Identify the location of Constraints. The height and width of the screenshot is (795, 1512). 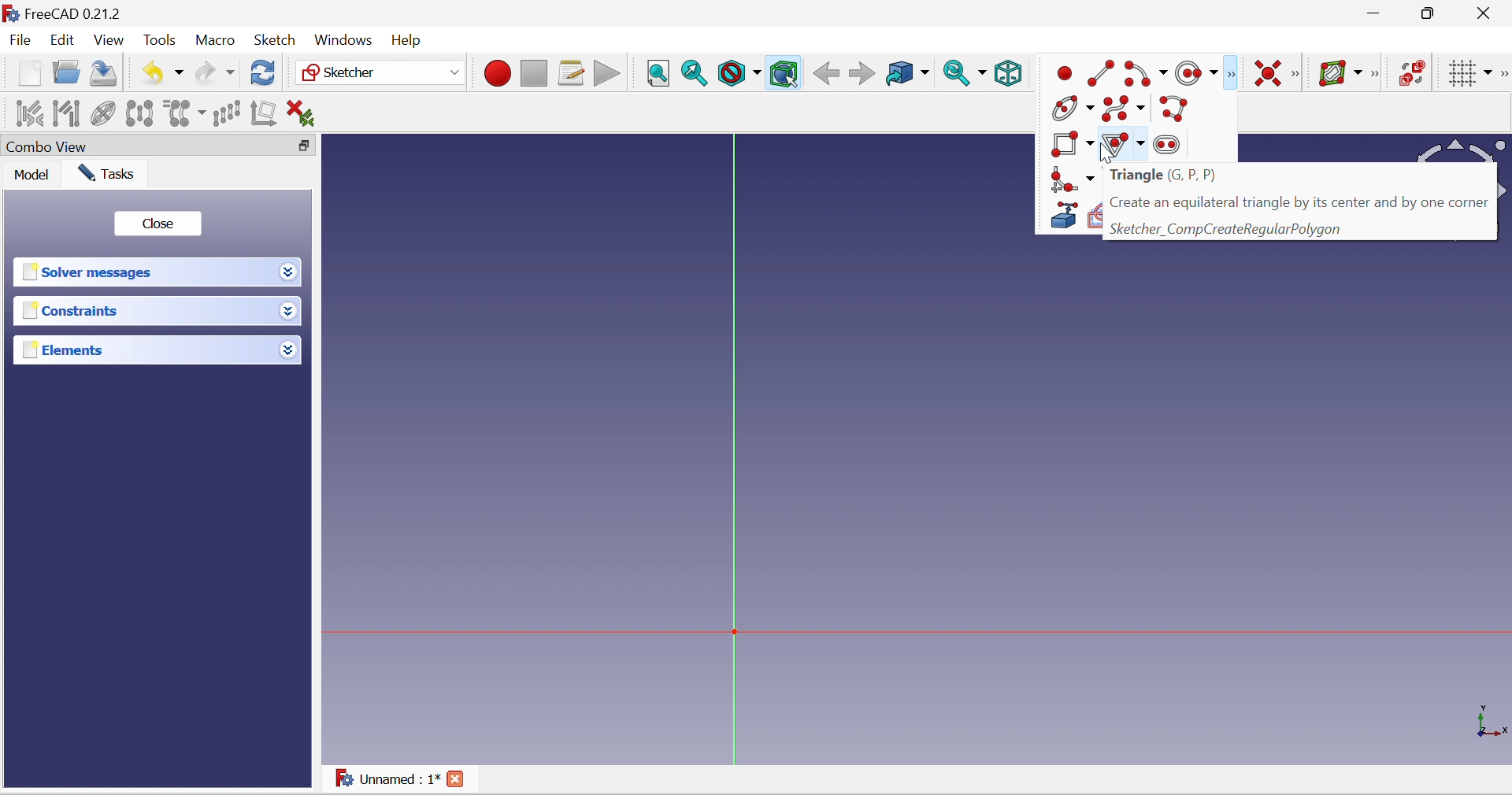
(143, 311).